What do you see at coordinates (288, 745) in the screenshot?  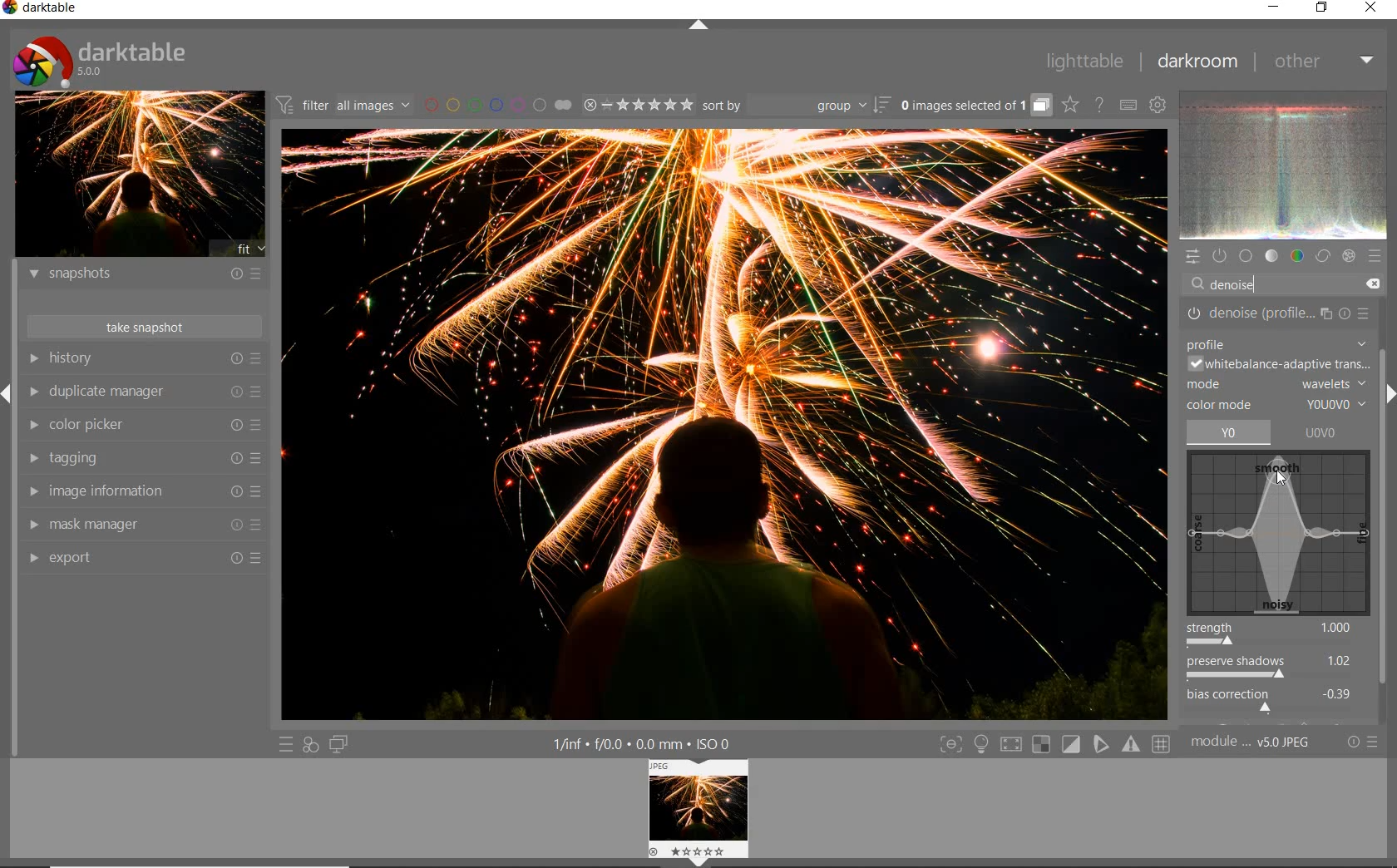 I see `quick access to presets` at bounding box center [288, 745].